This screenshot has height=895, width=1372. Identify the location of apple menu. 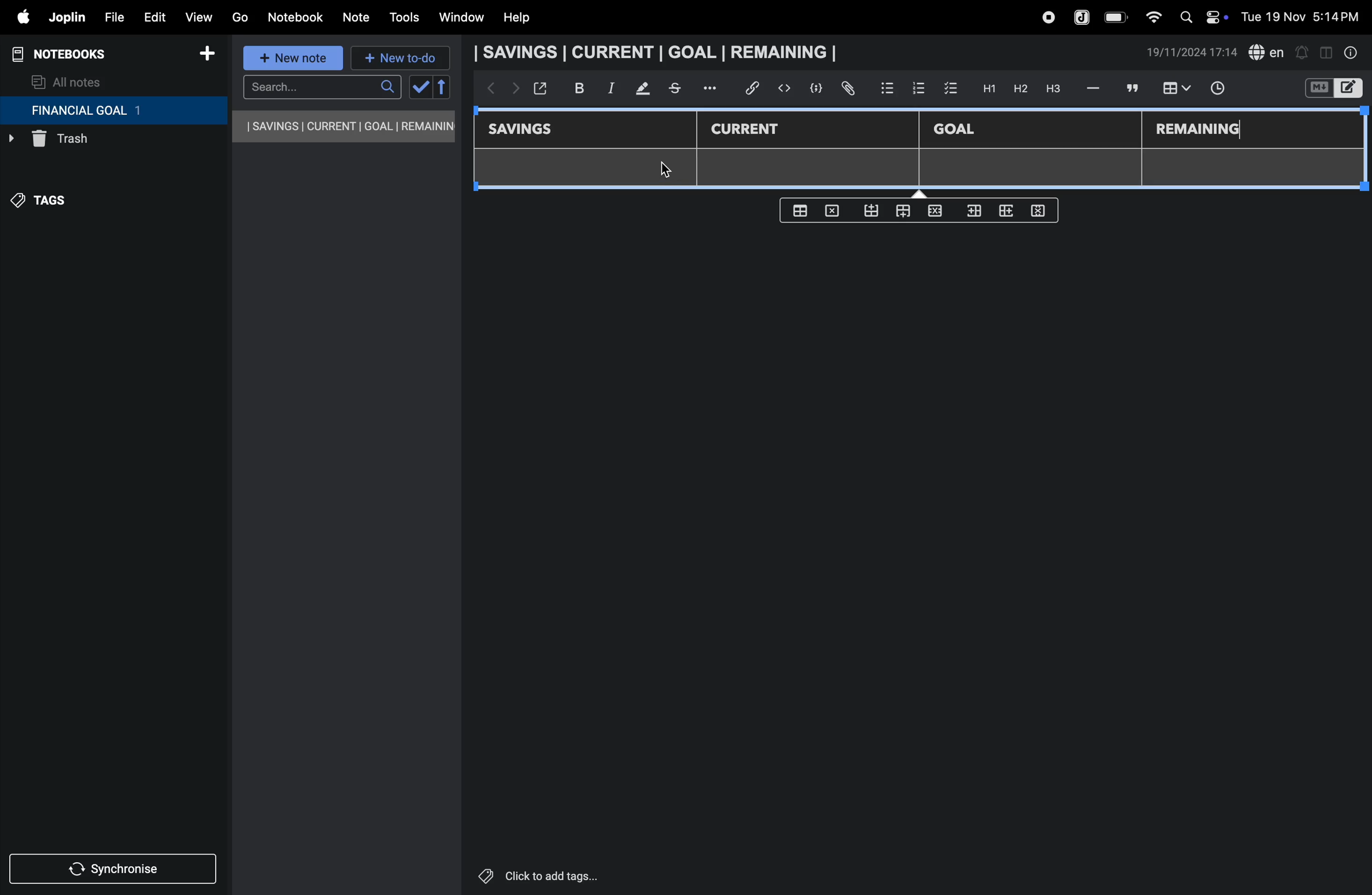
(17, 17).